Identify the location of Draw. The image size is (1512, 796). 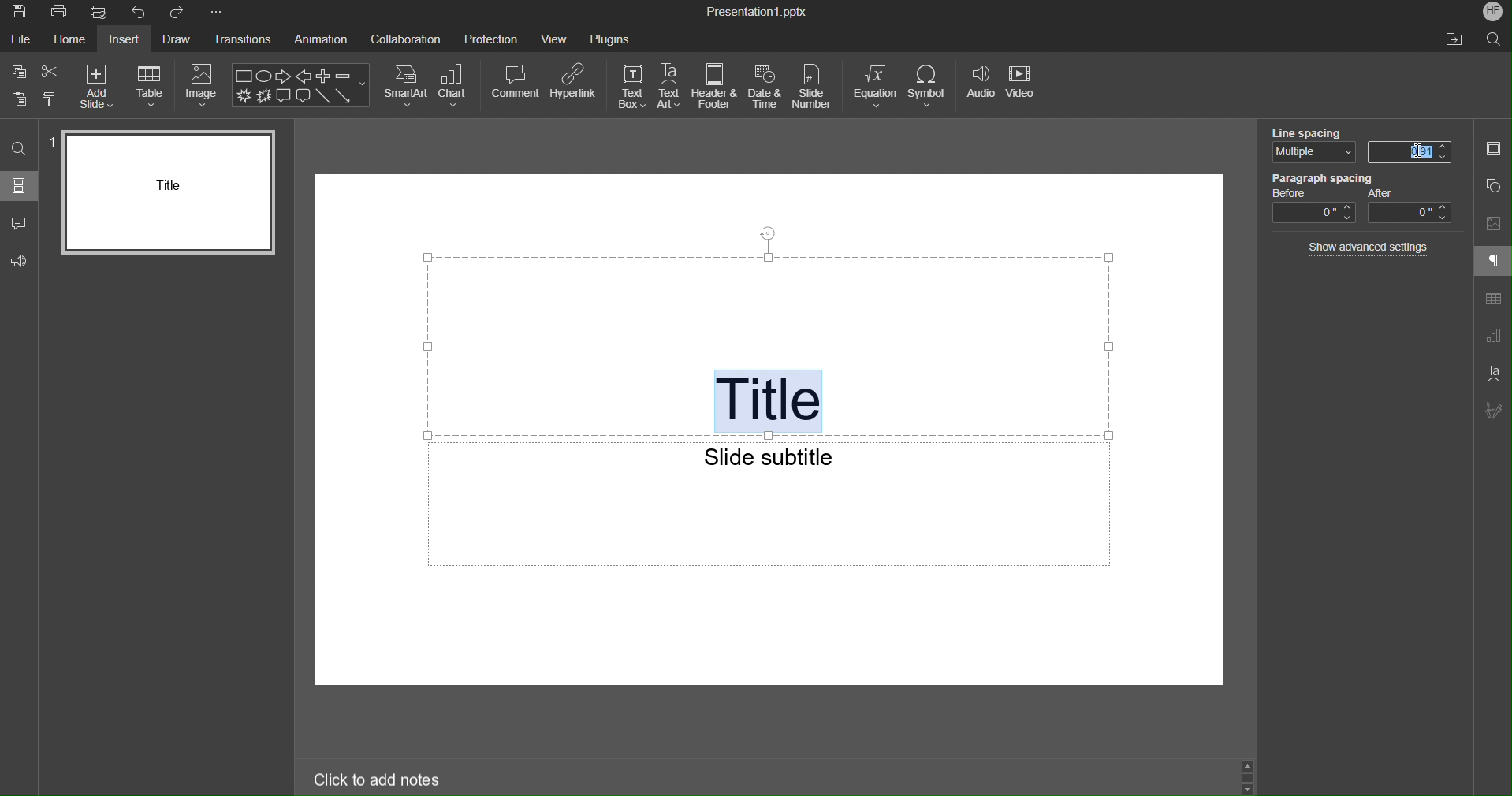
(174, 41).